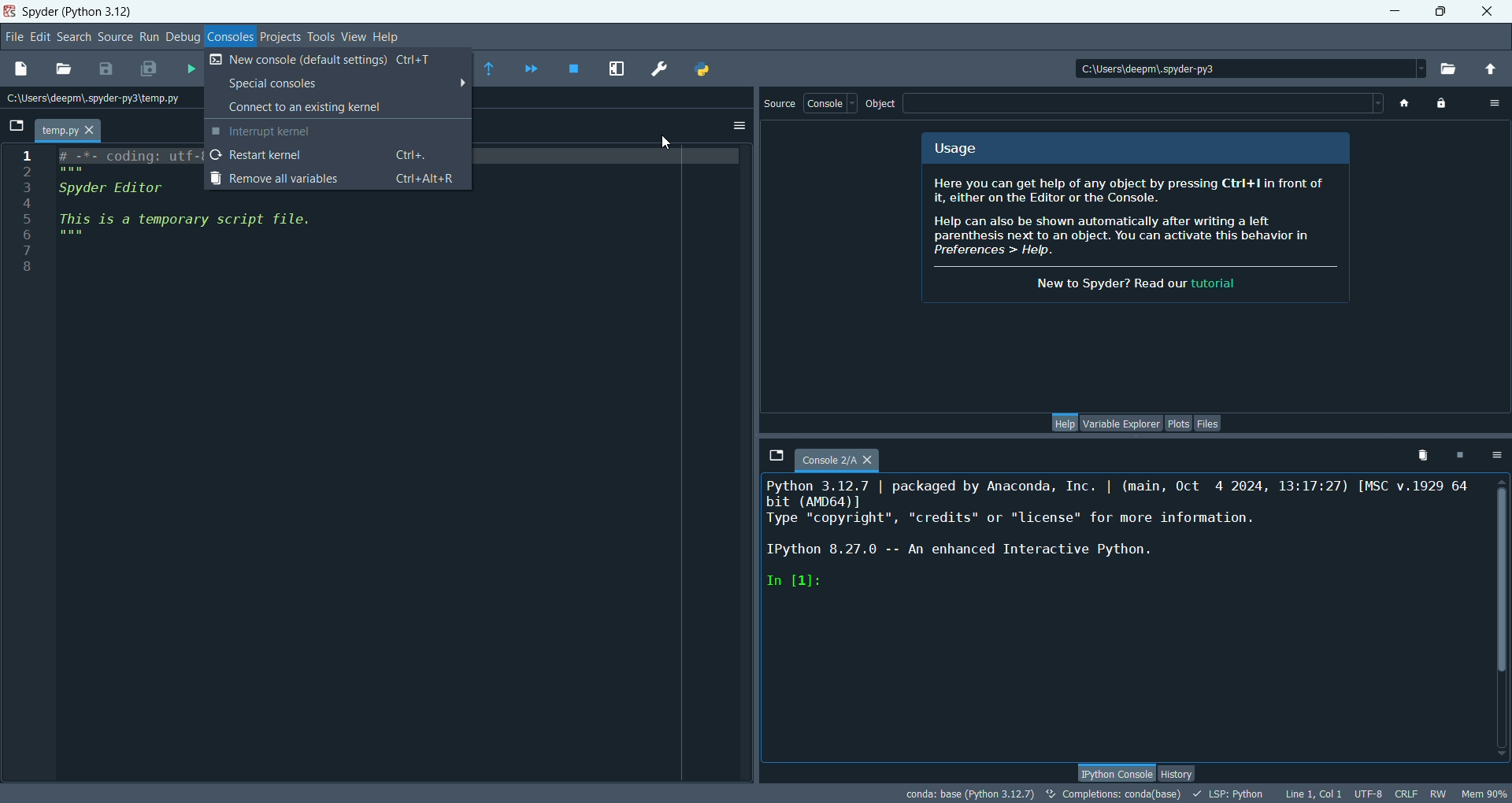 The height and width of the screenshot is (803, 1512). I want to click on connect to an existing kernel, so click(338, 107).